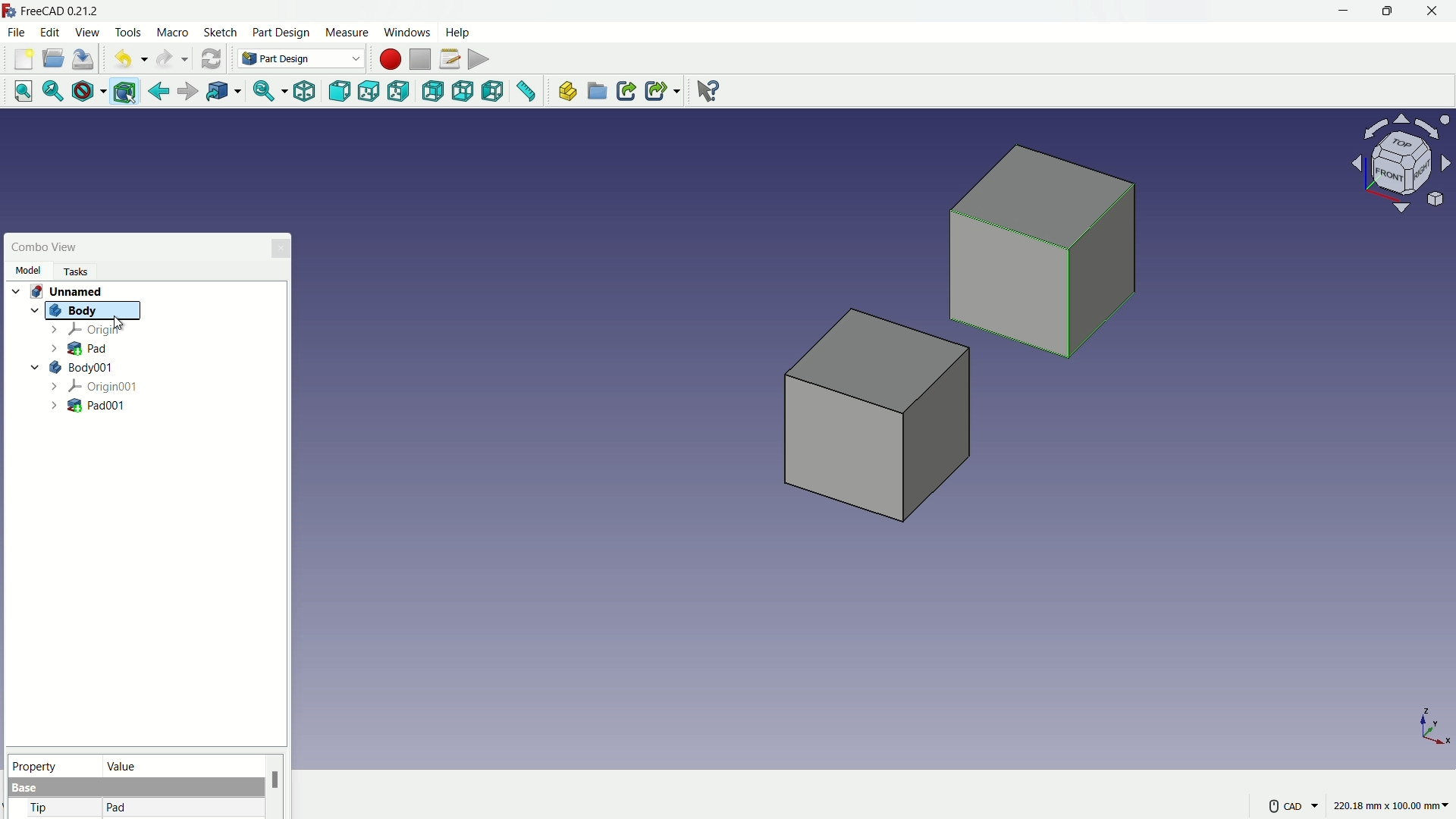 The height and width of the screenshot is (819, 1456). I want to click on redo, so click(172, 59).